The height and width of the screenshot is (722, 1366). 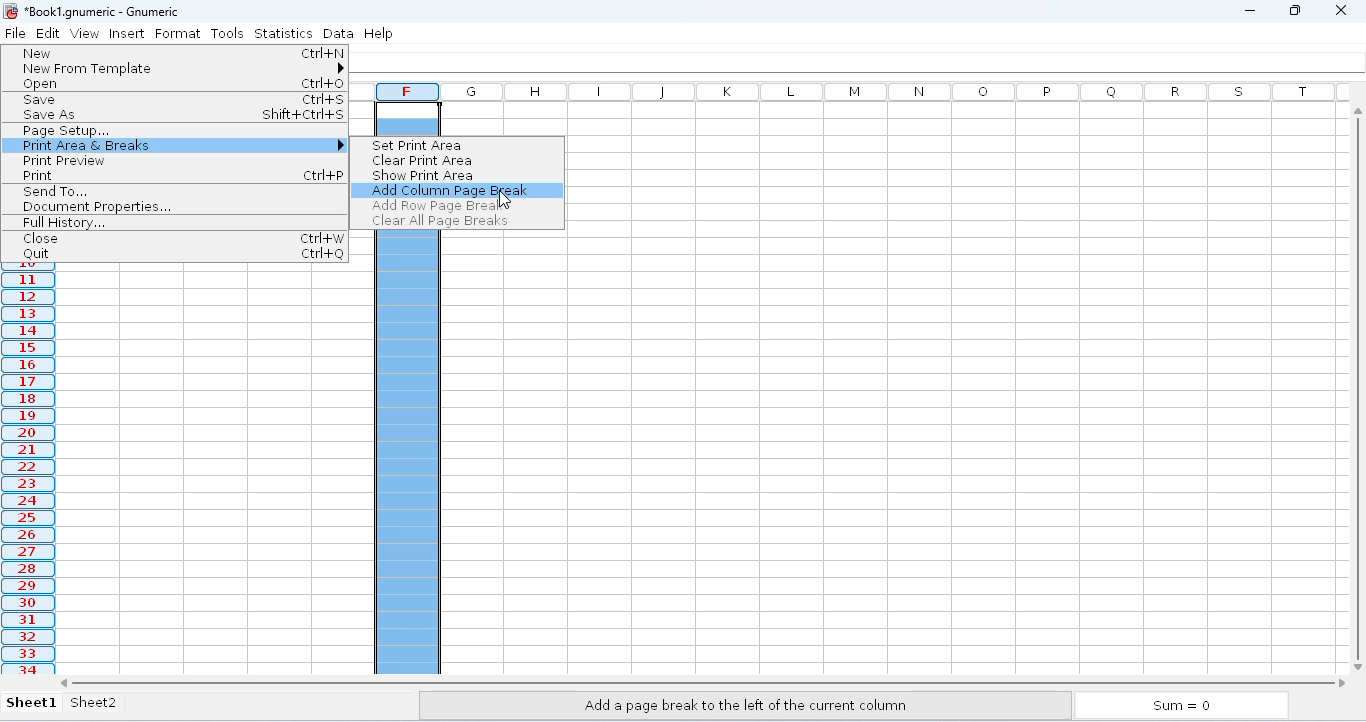 I want to click on shortcut for save, so click(x=323, y=100).